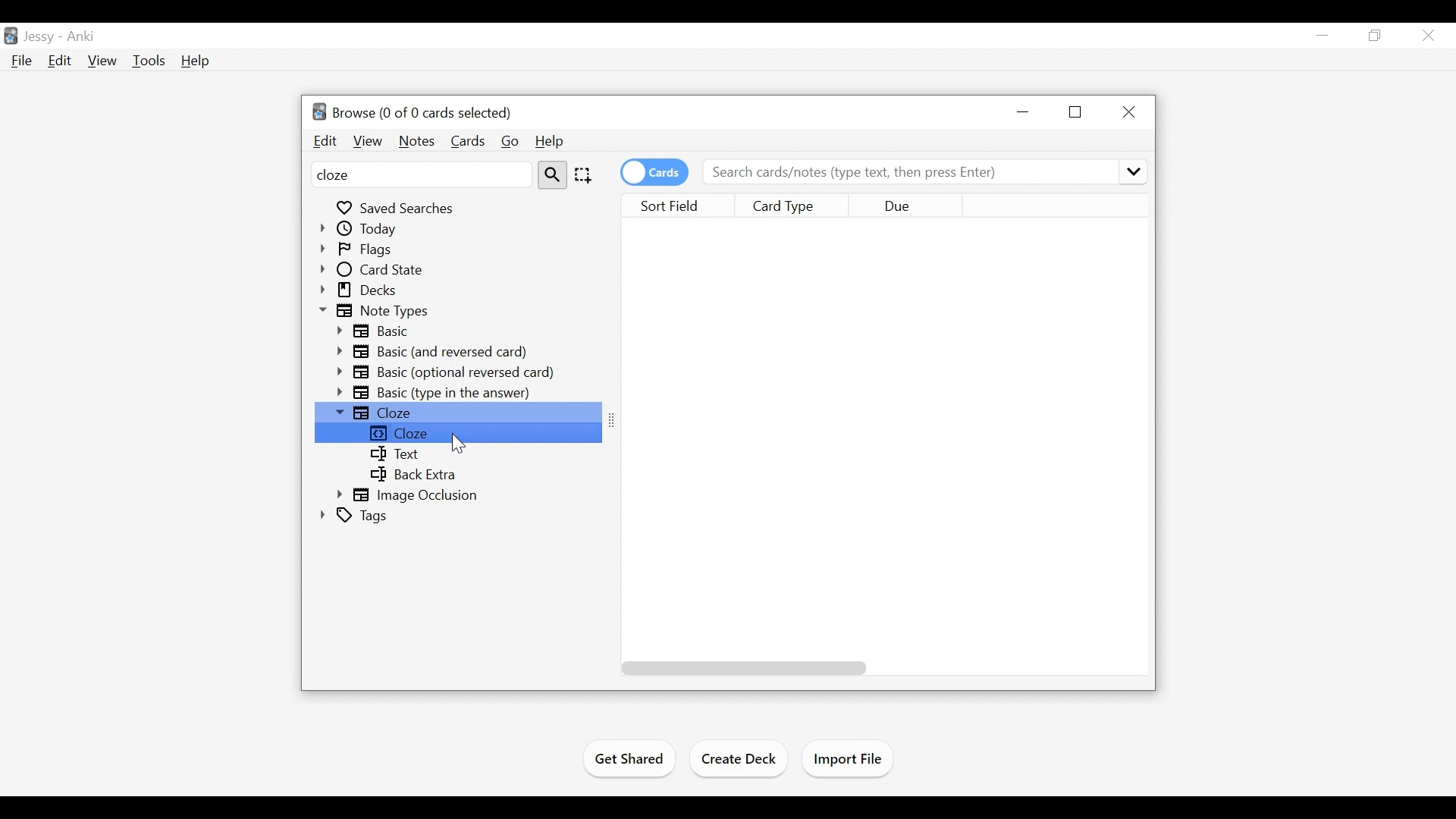 The width and height of the screenshot is (1456, 819). What do you see at coordinates (1077, 112) in the screenshot?
I see `Restore` at bounding box center [1077, 112].